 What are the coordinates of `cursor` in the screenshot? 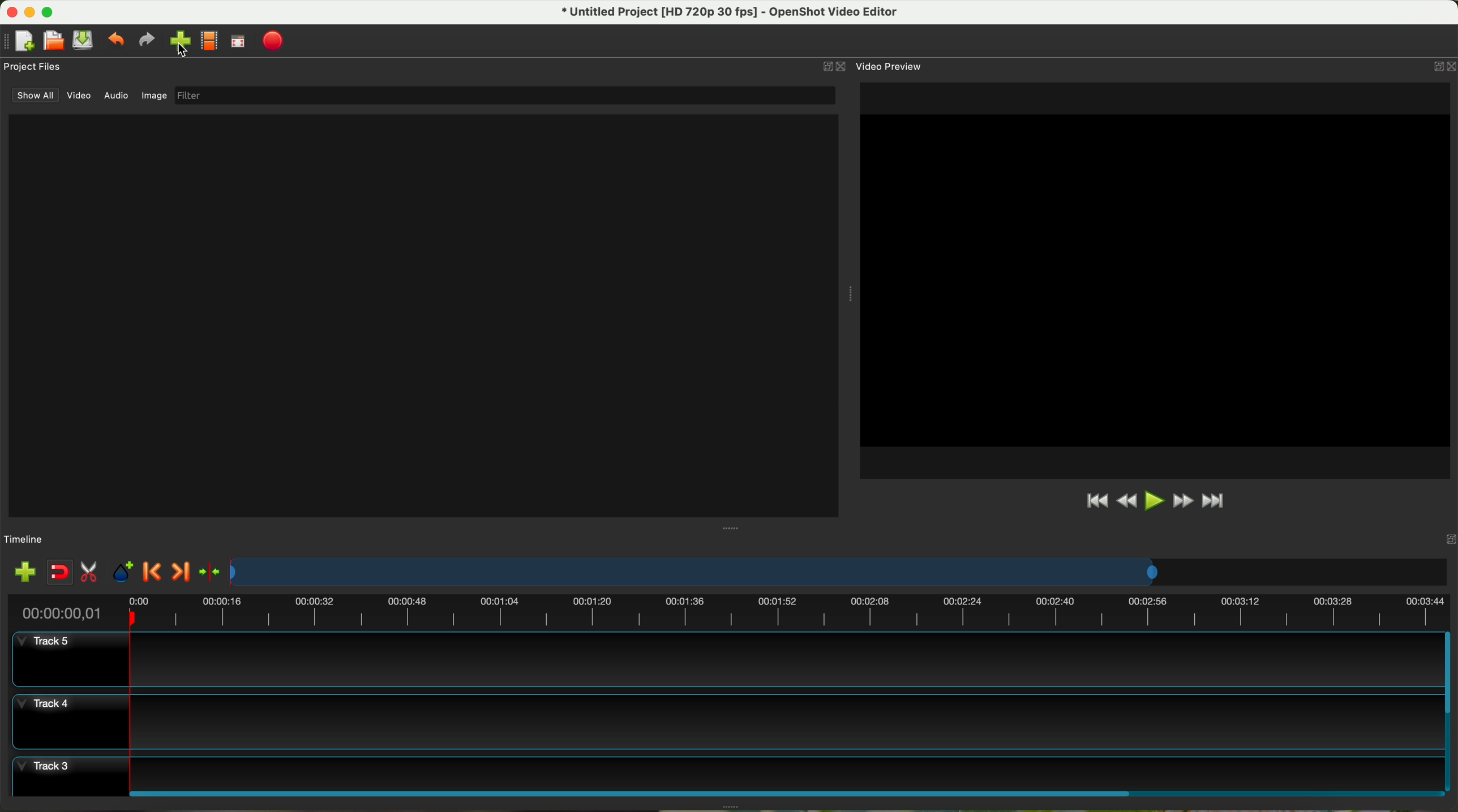 It's located at (182, 54).